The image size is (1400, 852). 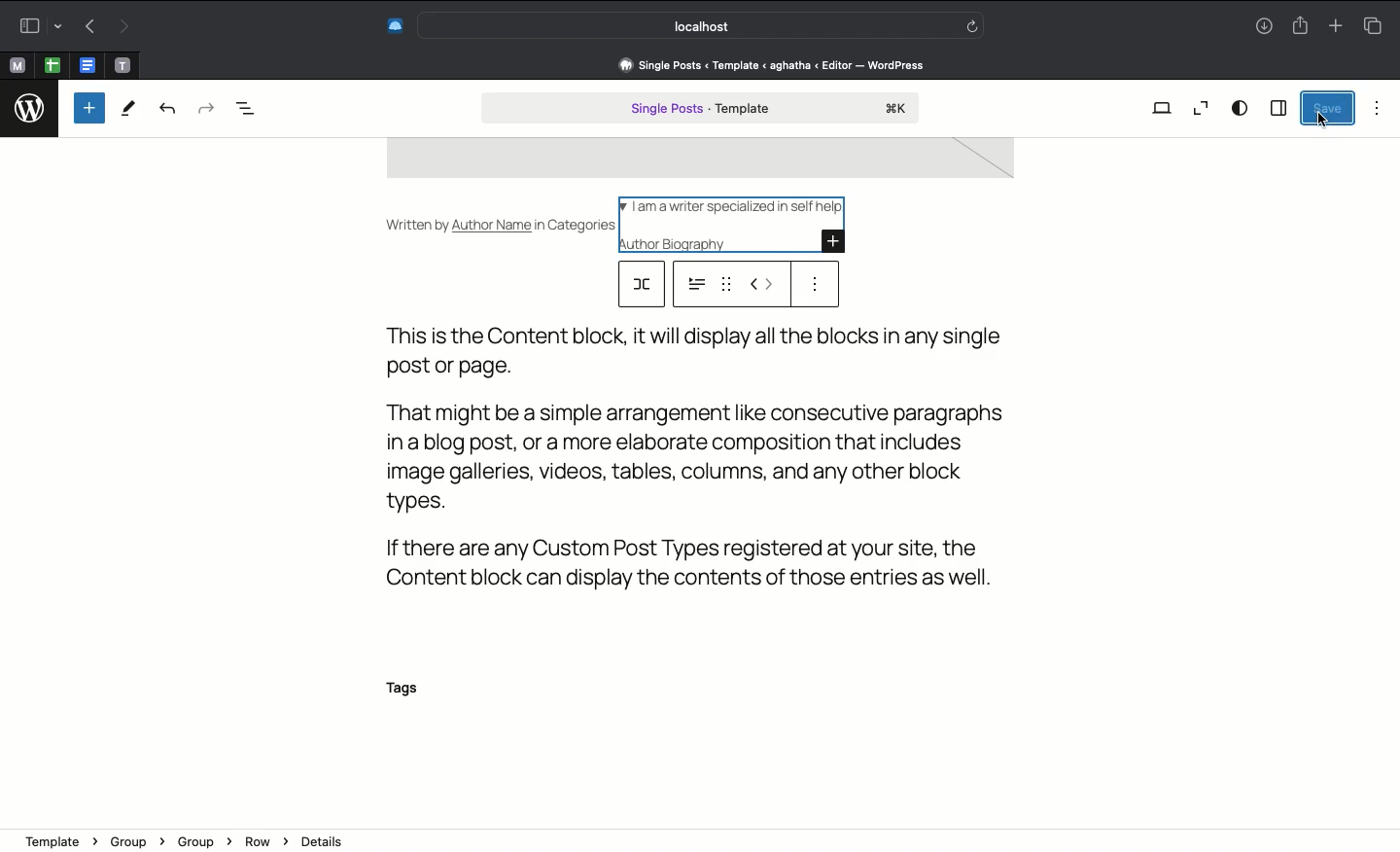 I want to click on Tools, so click(x=129, y=111).